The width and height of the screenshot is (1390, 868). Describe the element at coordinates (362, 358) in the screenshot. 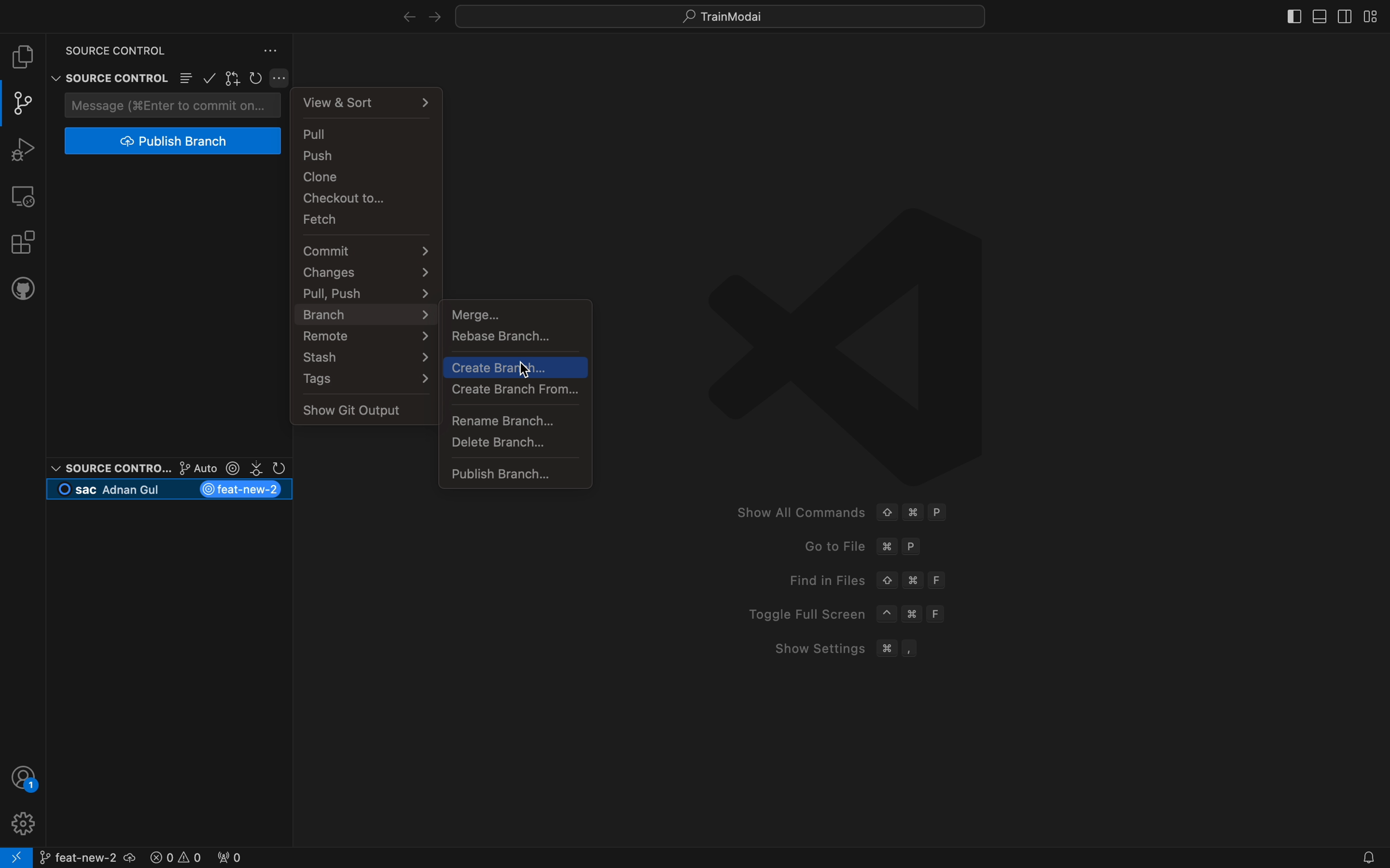

I see `stash` at that location.